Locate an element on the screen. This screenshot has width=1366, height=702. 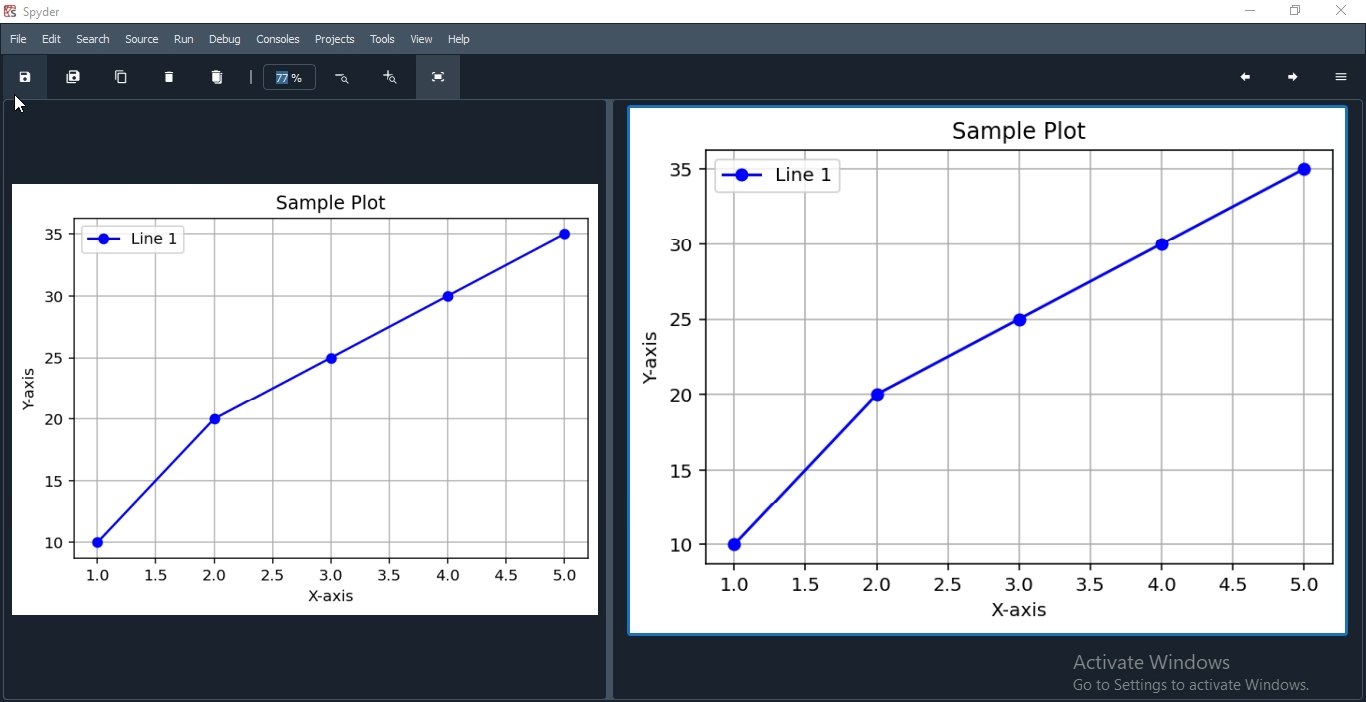
save is located at coordinates (22, 77).